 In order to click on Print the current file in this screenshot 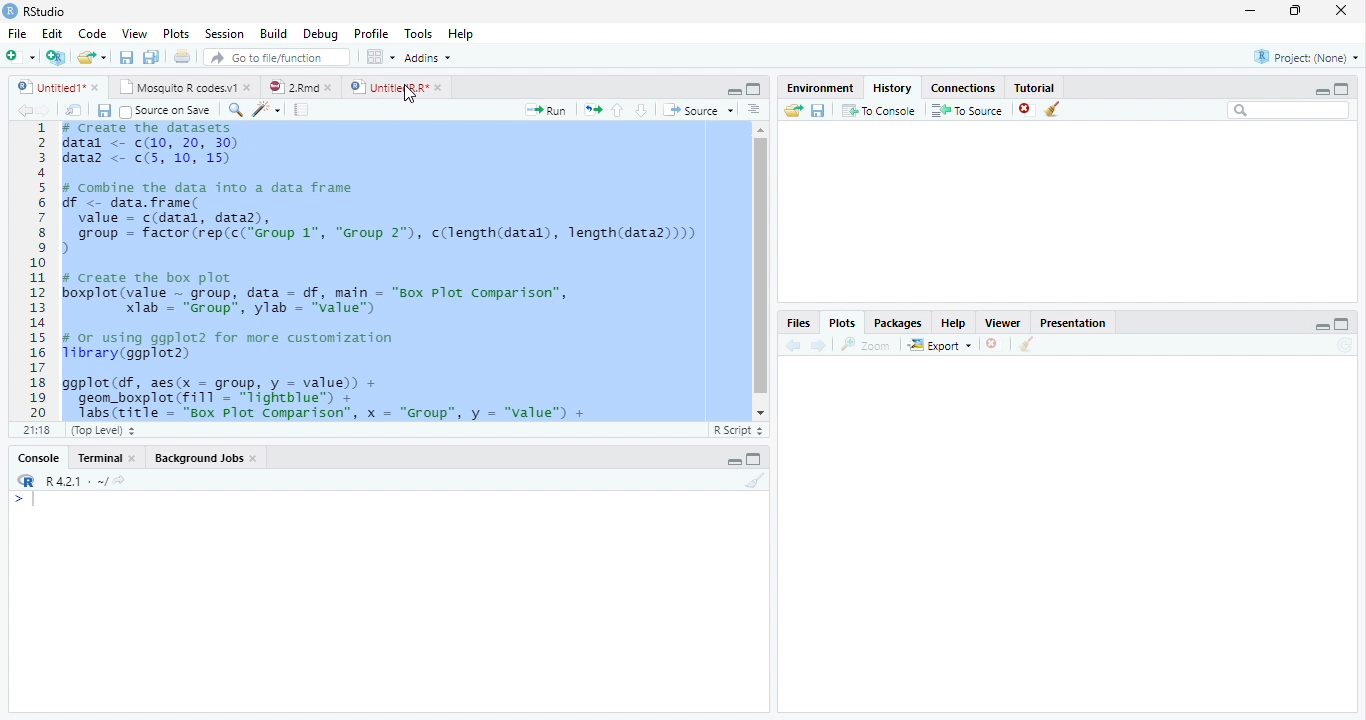, I will do `click(181, 56)`.